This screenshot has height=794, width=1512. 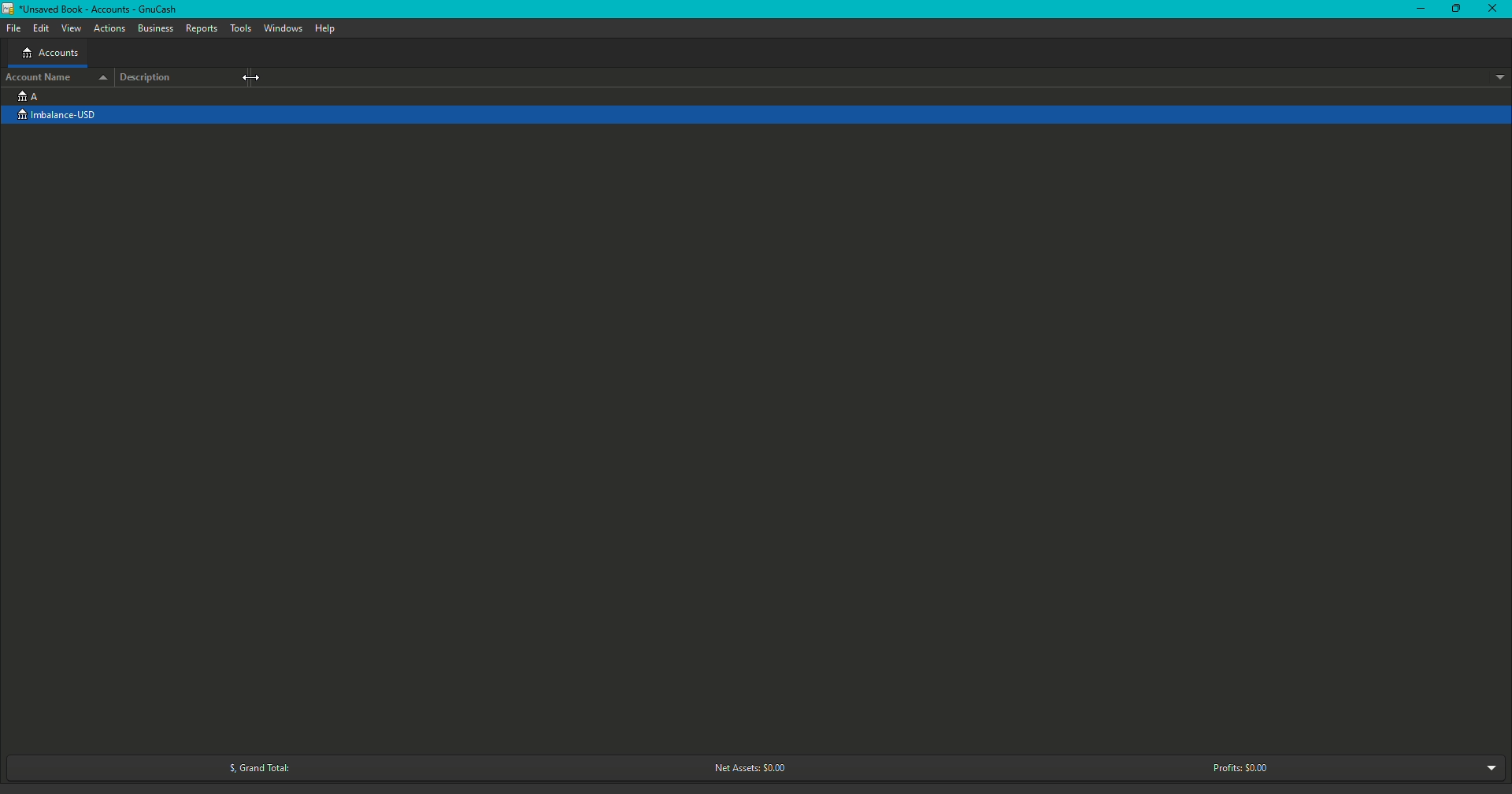 I want to click on Grand Total, so click(x=254, y=768).